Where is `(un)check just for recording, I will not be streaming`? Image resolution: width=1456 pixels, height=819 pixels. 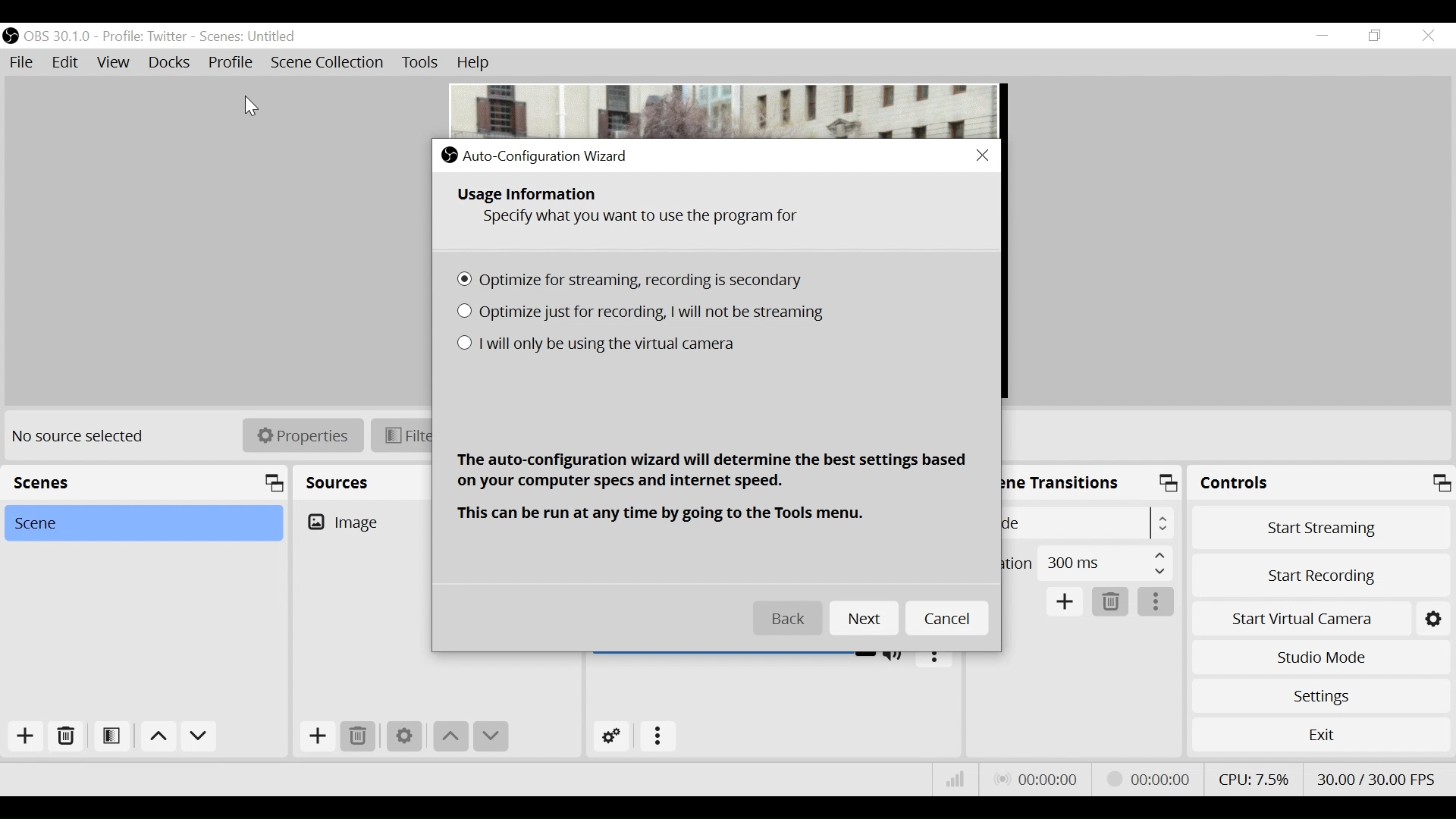 (un)check just for recording, I will not be streaming is located at coordinates (647, 312).